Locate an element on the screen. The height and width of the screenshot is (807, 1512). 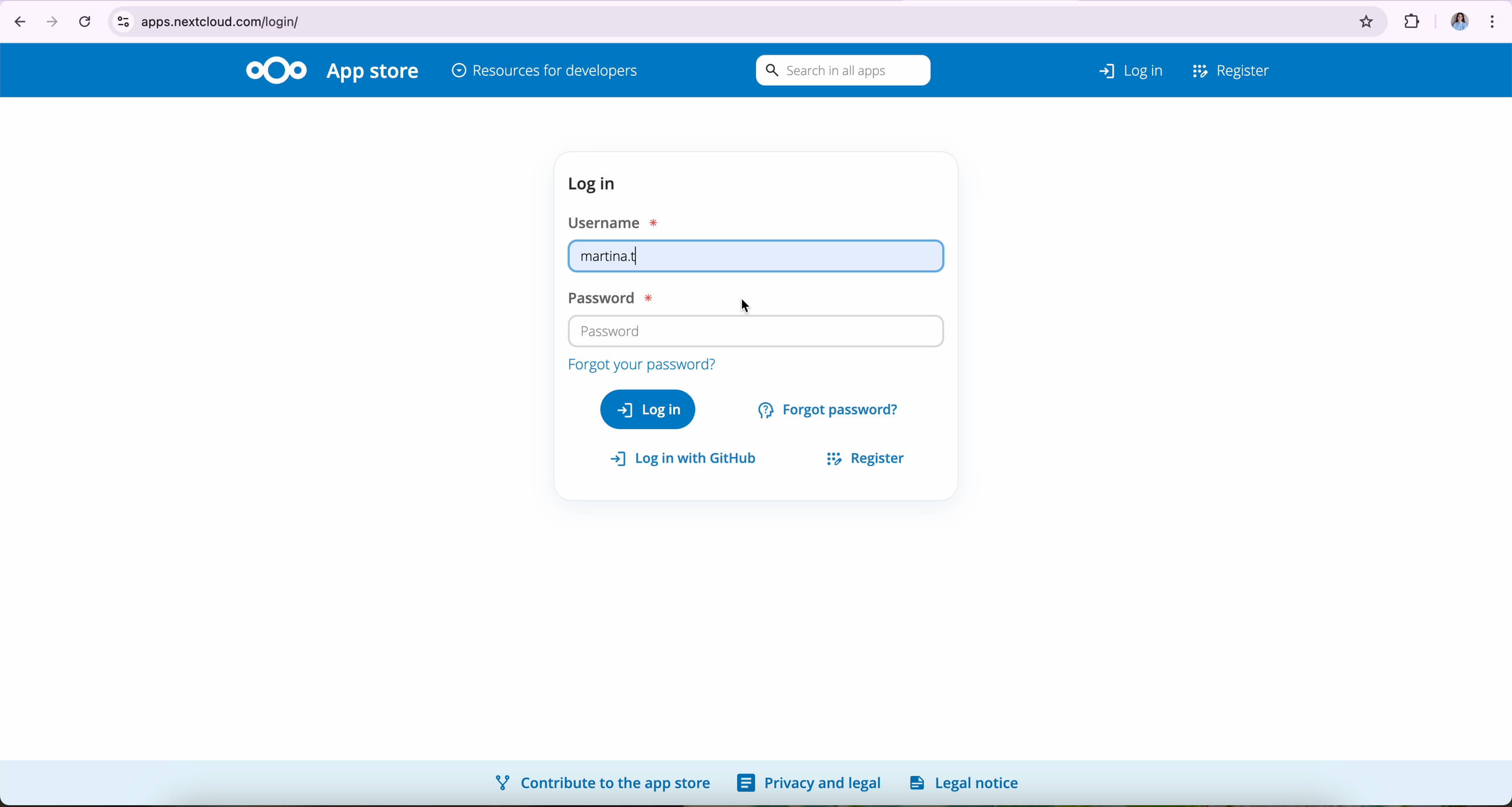
profile is located at coordinates (1454, 17).